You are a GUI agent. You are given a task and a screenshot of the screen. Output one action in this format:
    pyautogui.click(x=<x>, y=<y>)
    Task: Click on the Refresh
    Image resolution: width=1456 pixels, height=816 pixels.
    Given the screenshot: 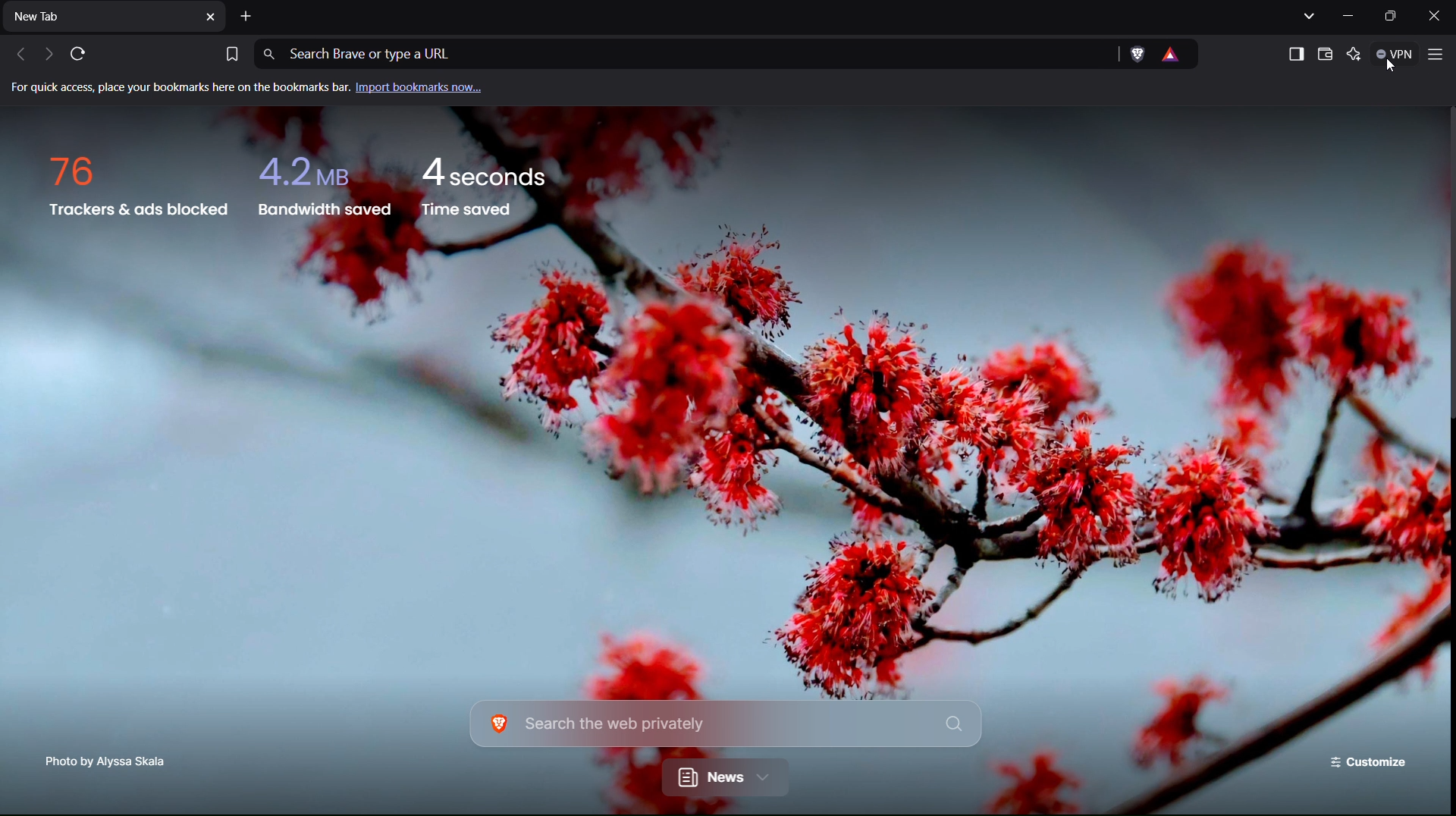 What is the action you would take?
    pyautogui.click(x=84, y=53)
    